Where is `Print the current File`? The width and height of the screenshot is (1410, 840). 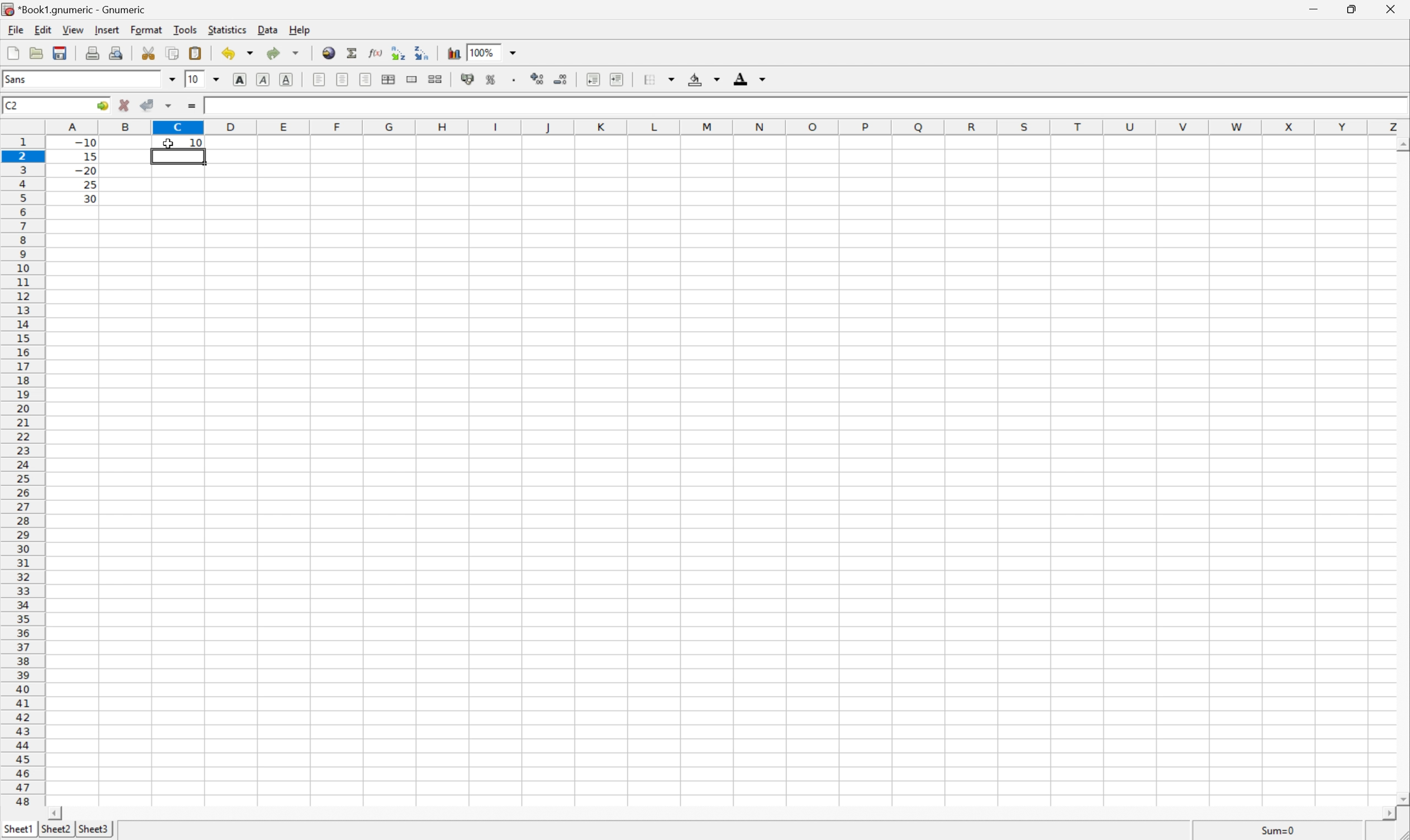
Print the current File is located at coordinates (95, 52).